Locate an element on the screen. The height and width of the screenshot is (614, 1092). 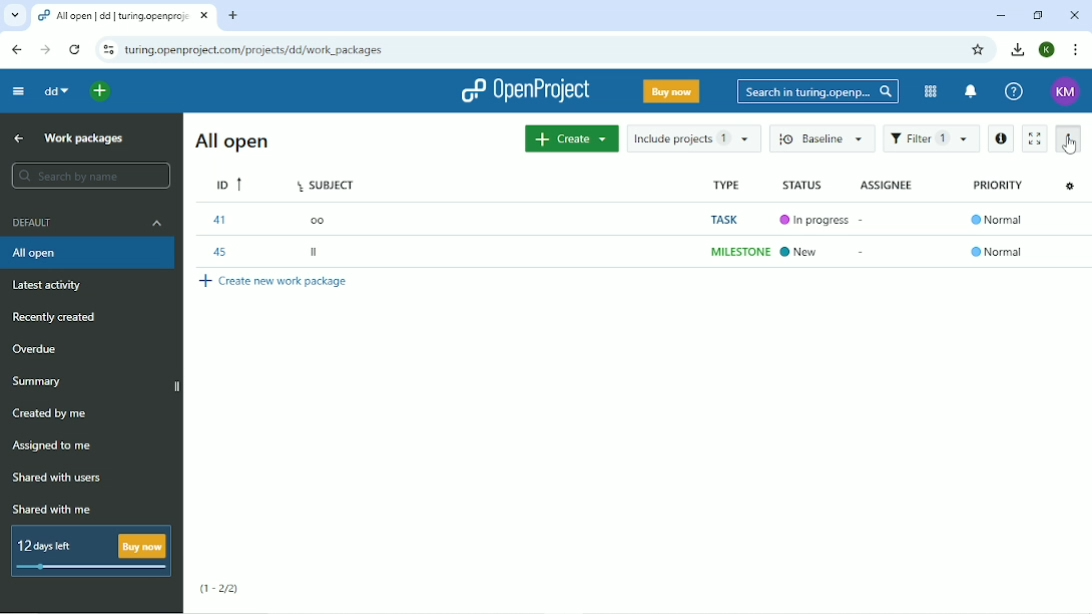
Open quick add menu is located at coordinates (100, 91).